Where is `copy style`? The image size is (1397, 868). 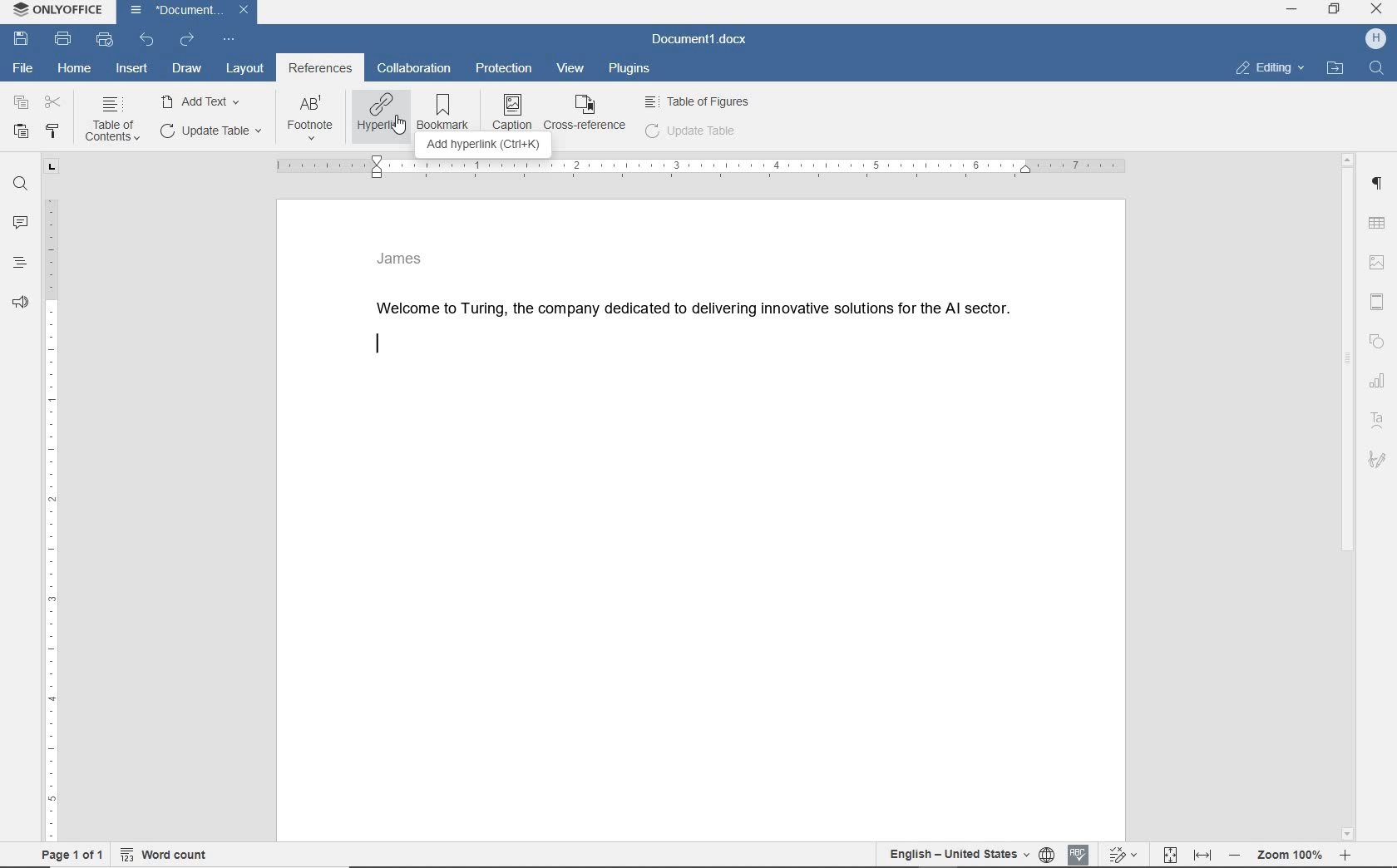 copy style is located at coordinates (55, 130).